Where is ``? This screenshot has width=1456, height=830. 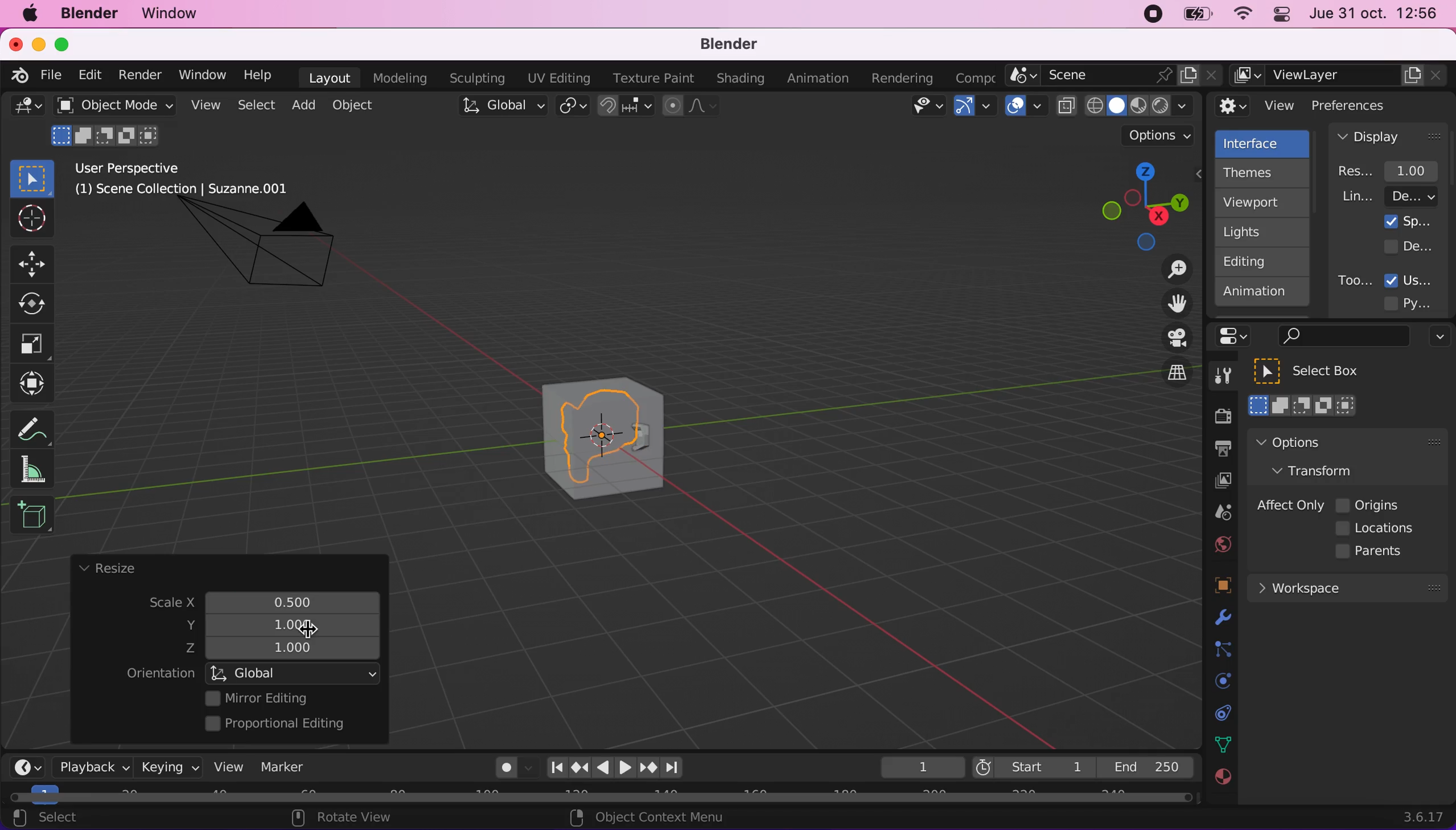
 is located at coordinates (32, 344).